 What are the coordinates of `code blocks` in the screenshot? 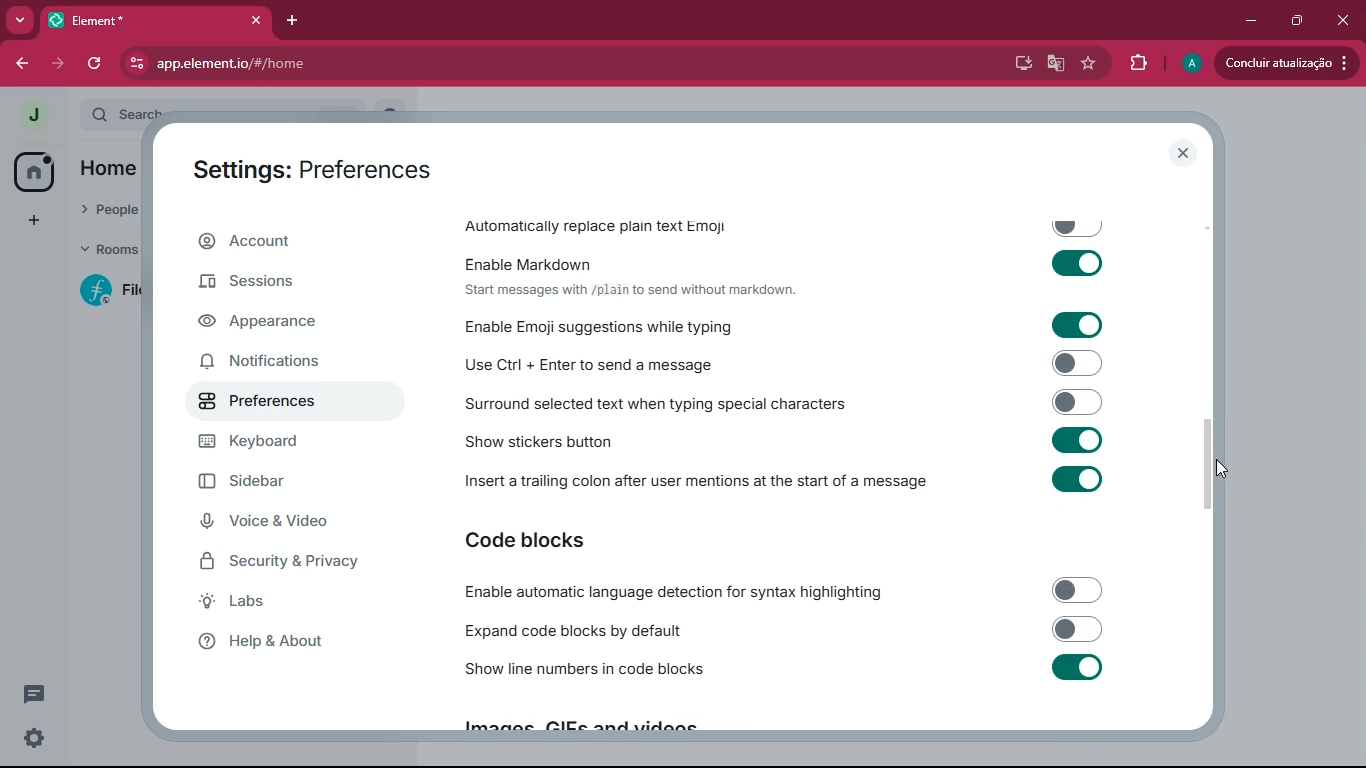 It's located at (575, 540).